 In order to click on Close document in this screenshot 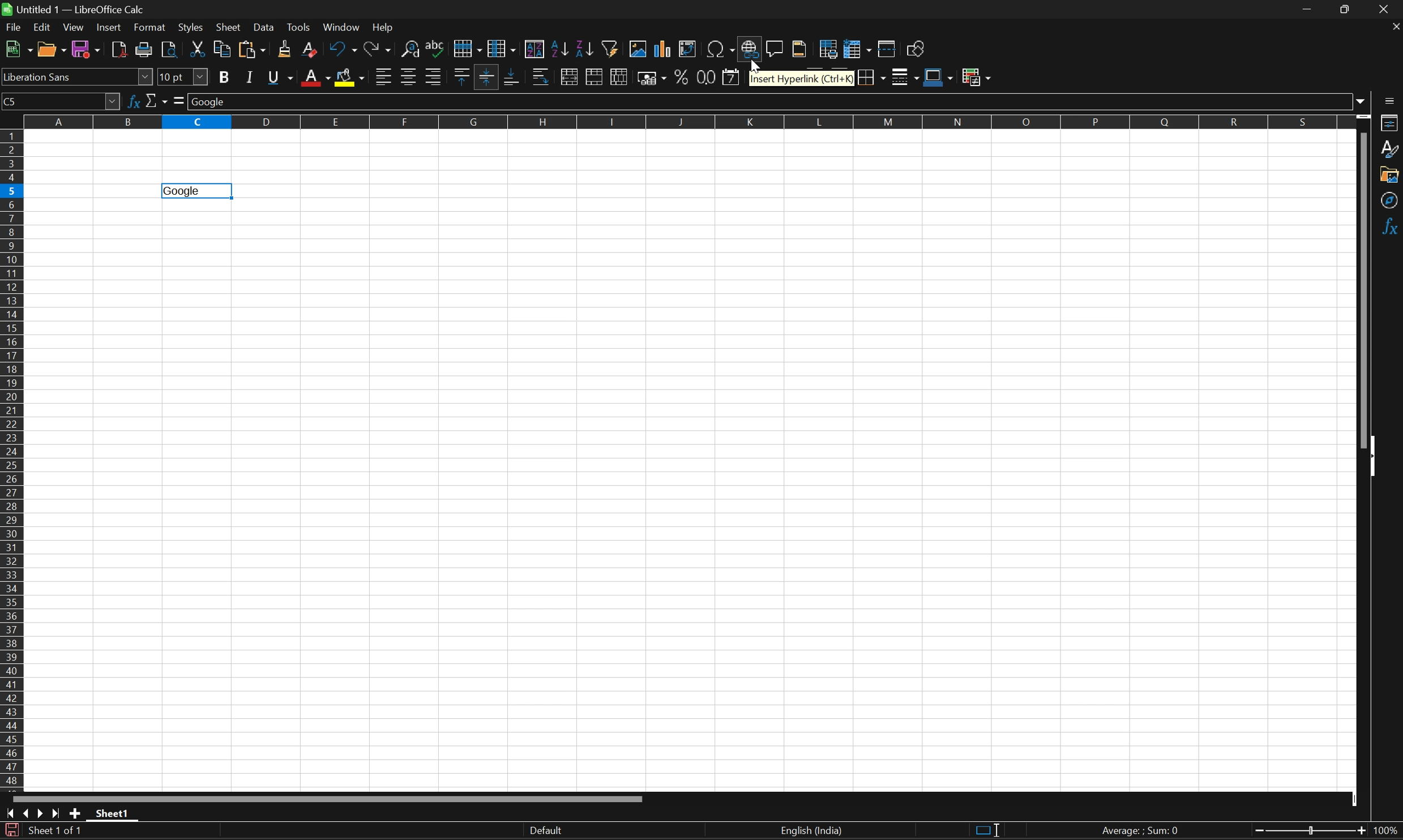, I will do `click(1395, 25)`.